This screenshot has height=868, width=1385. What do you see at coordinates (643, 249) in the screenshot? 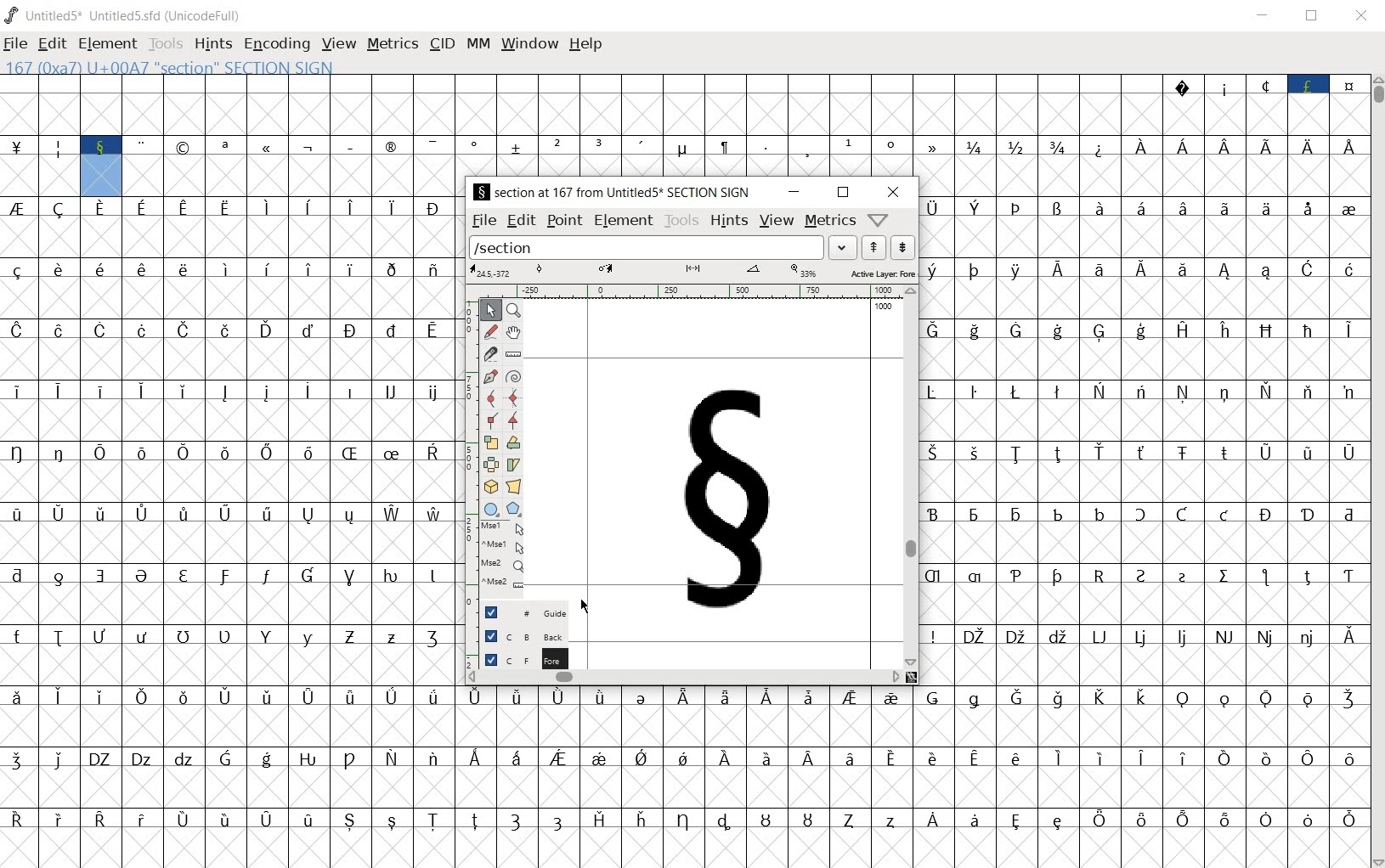
I see `/section` at bounding box center [643, 249].